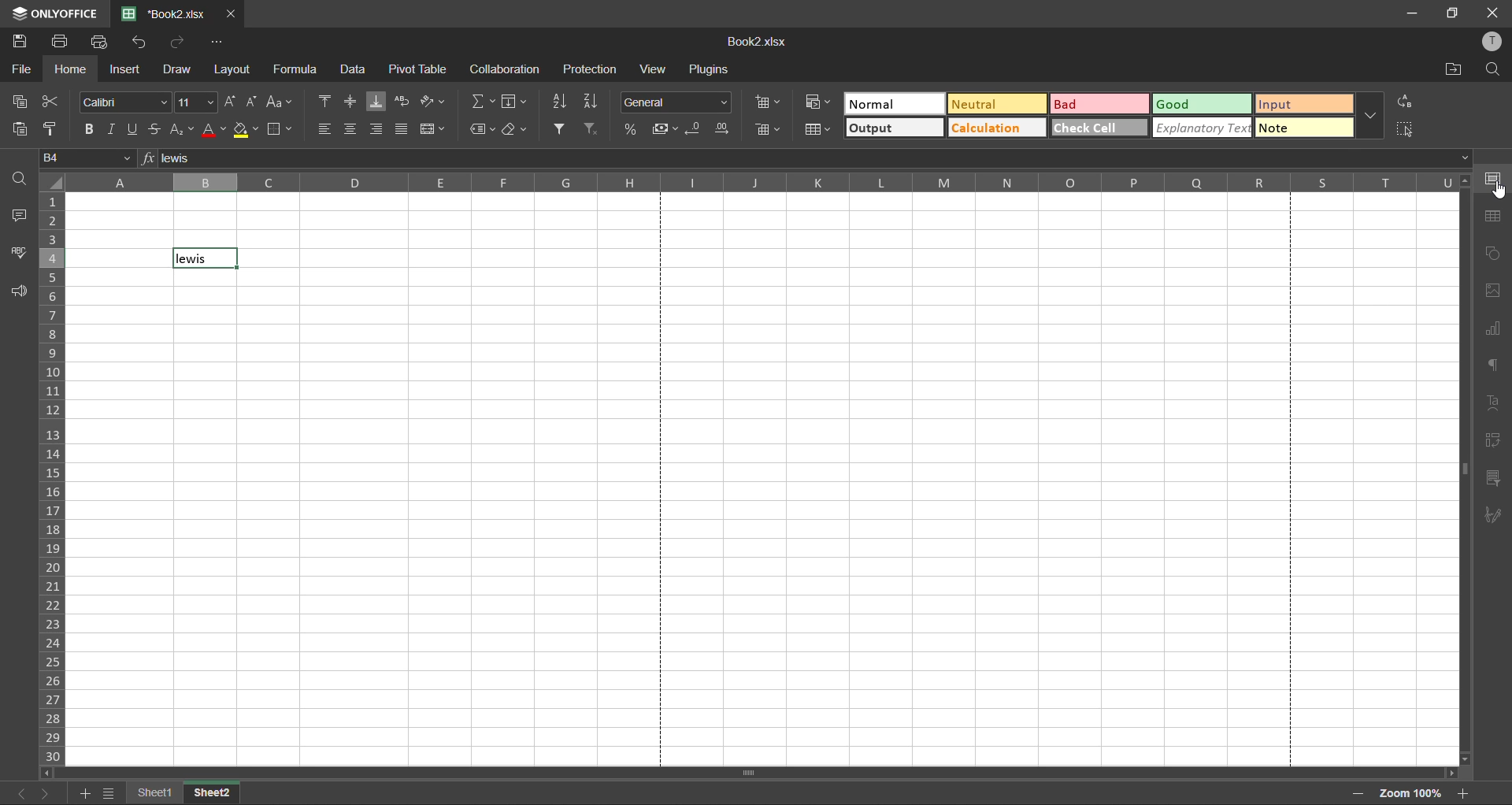  I want to click on align middle, so click(350, 103).